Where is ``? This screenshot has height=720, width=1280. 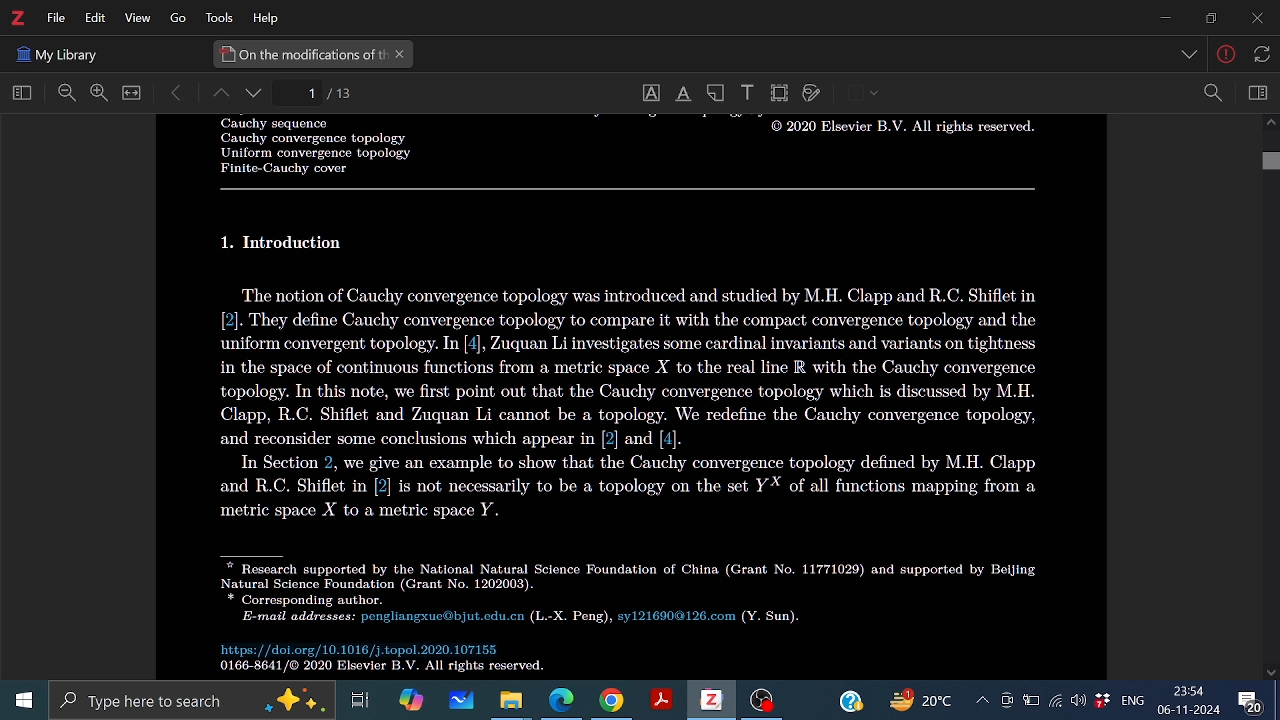  is located at coordinates (286, 243).